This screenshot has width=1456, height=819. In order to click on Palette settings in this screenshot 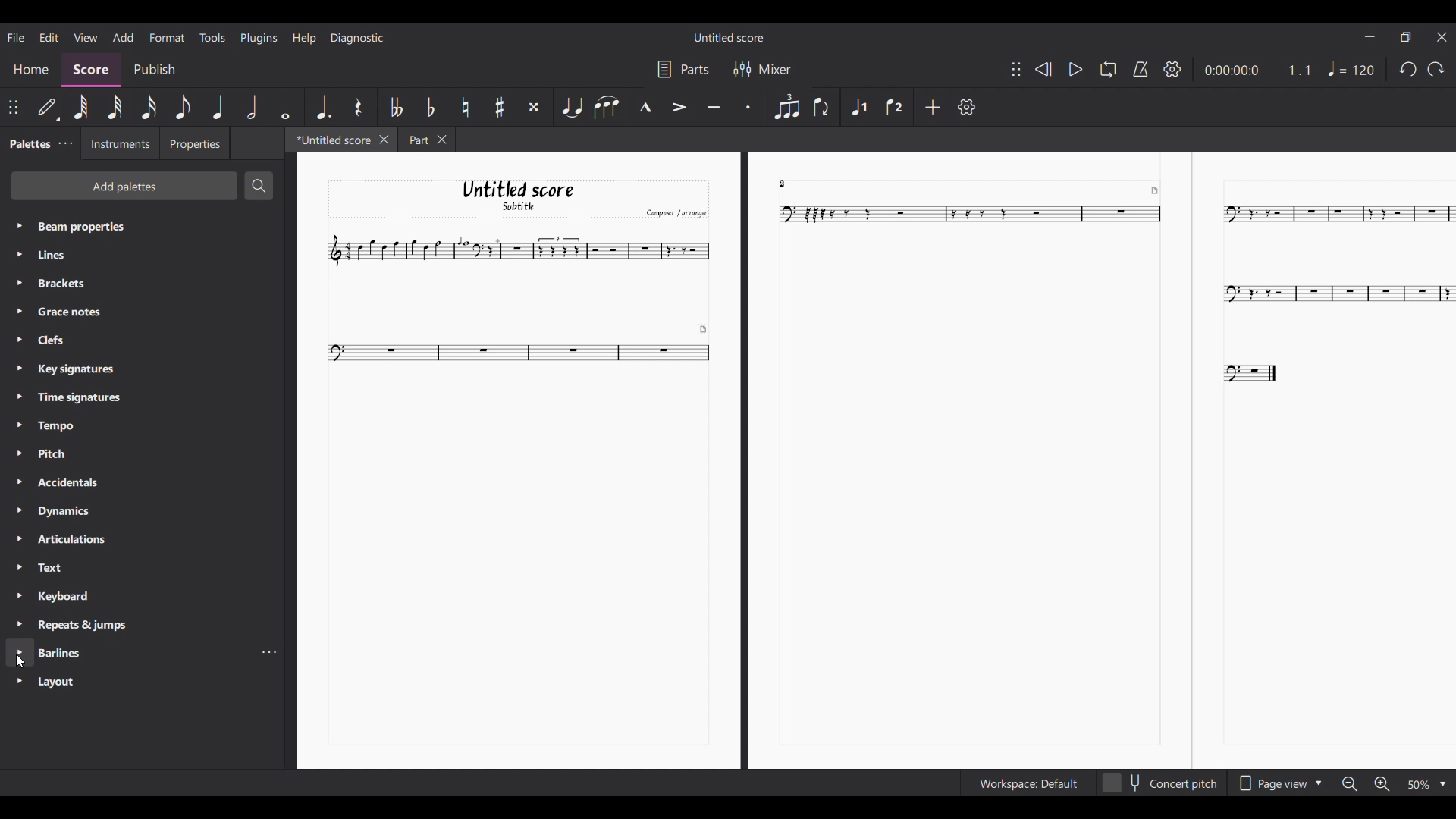, I will do `click(55, 455)`.